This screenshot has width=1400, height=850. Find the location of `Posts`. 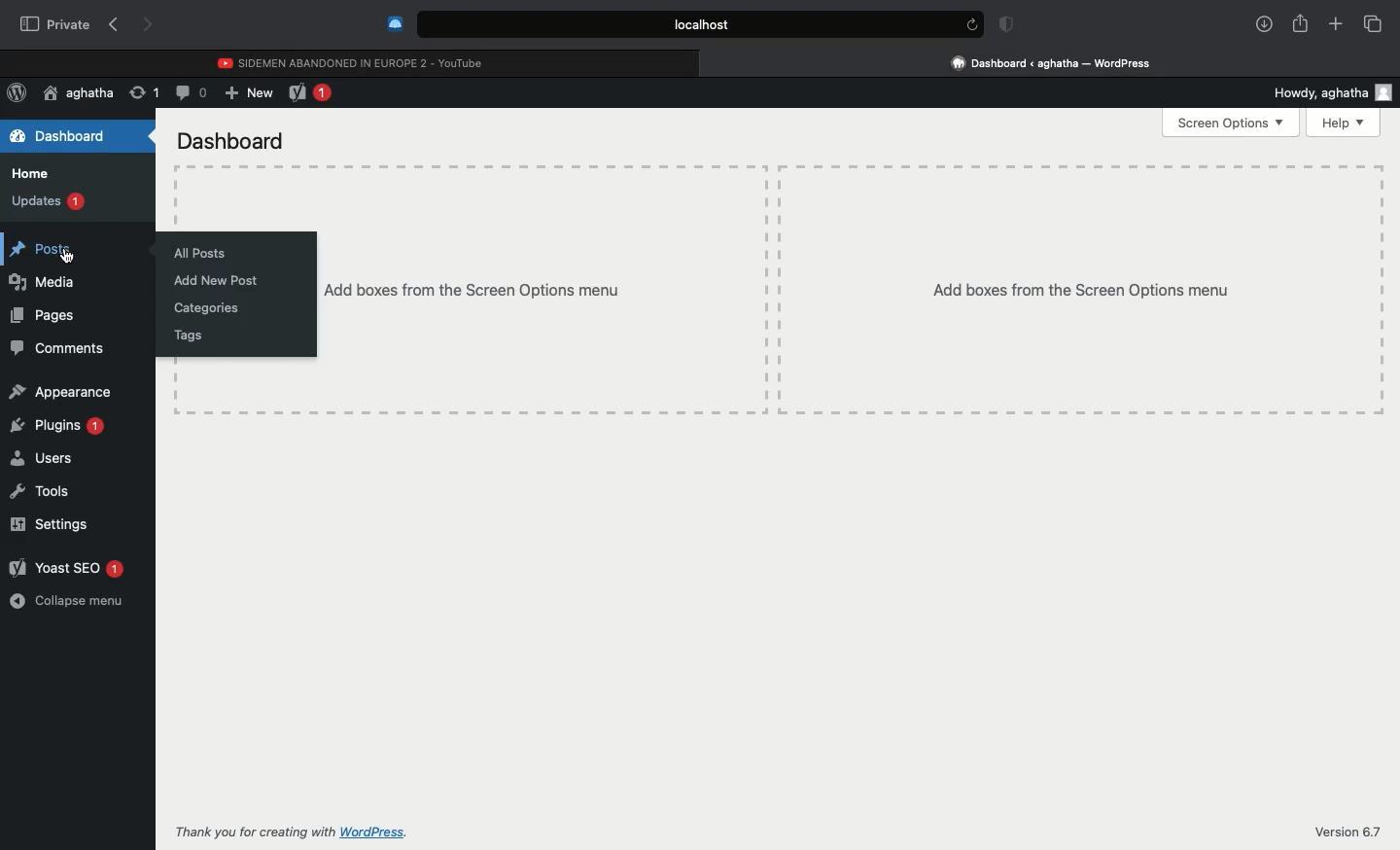

Posts is located at coordinates (43, 251).